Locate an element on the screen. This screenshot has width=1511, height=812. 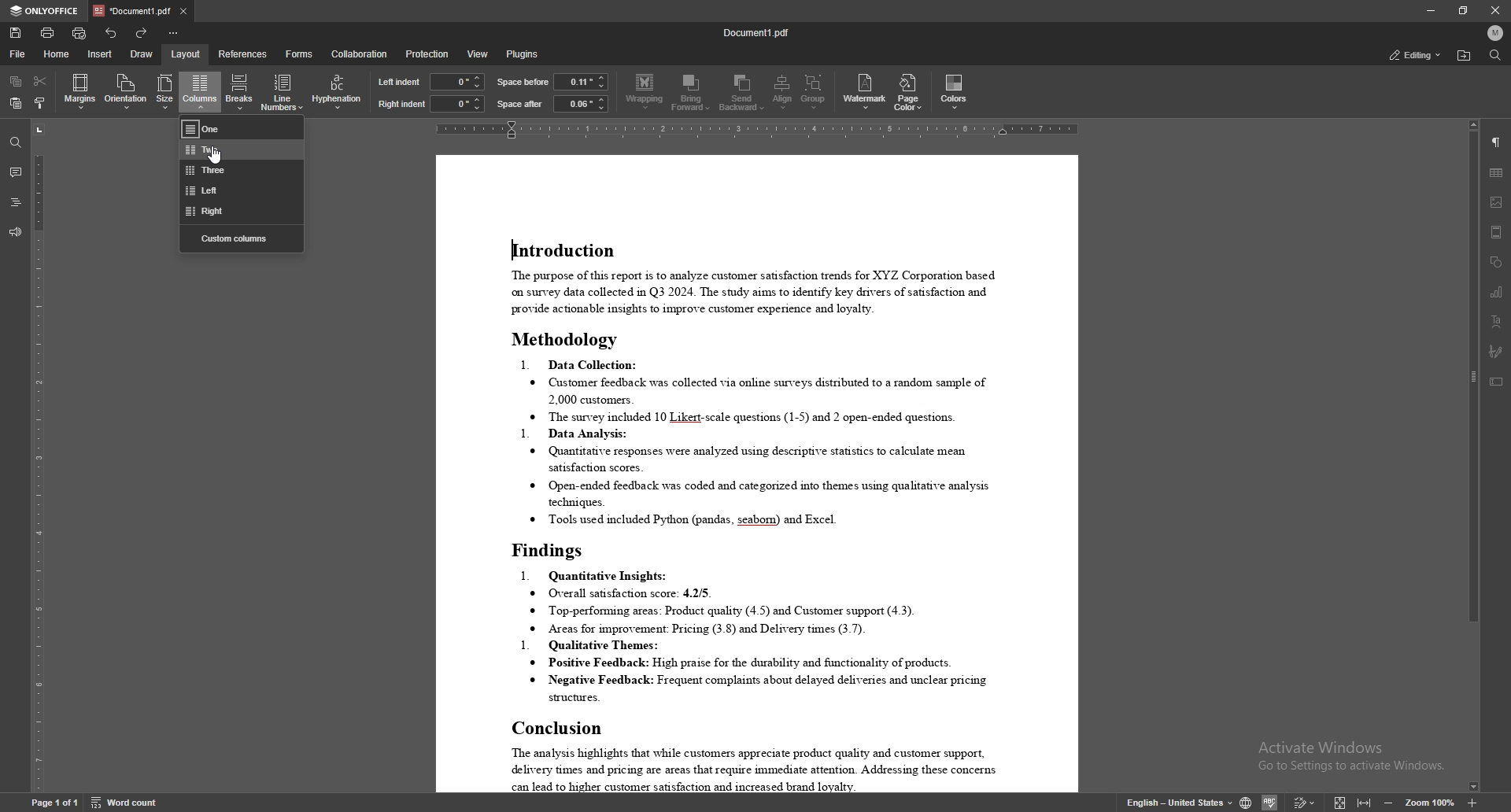
wrapping is located at coordinates (645, 93).